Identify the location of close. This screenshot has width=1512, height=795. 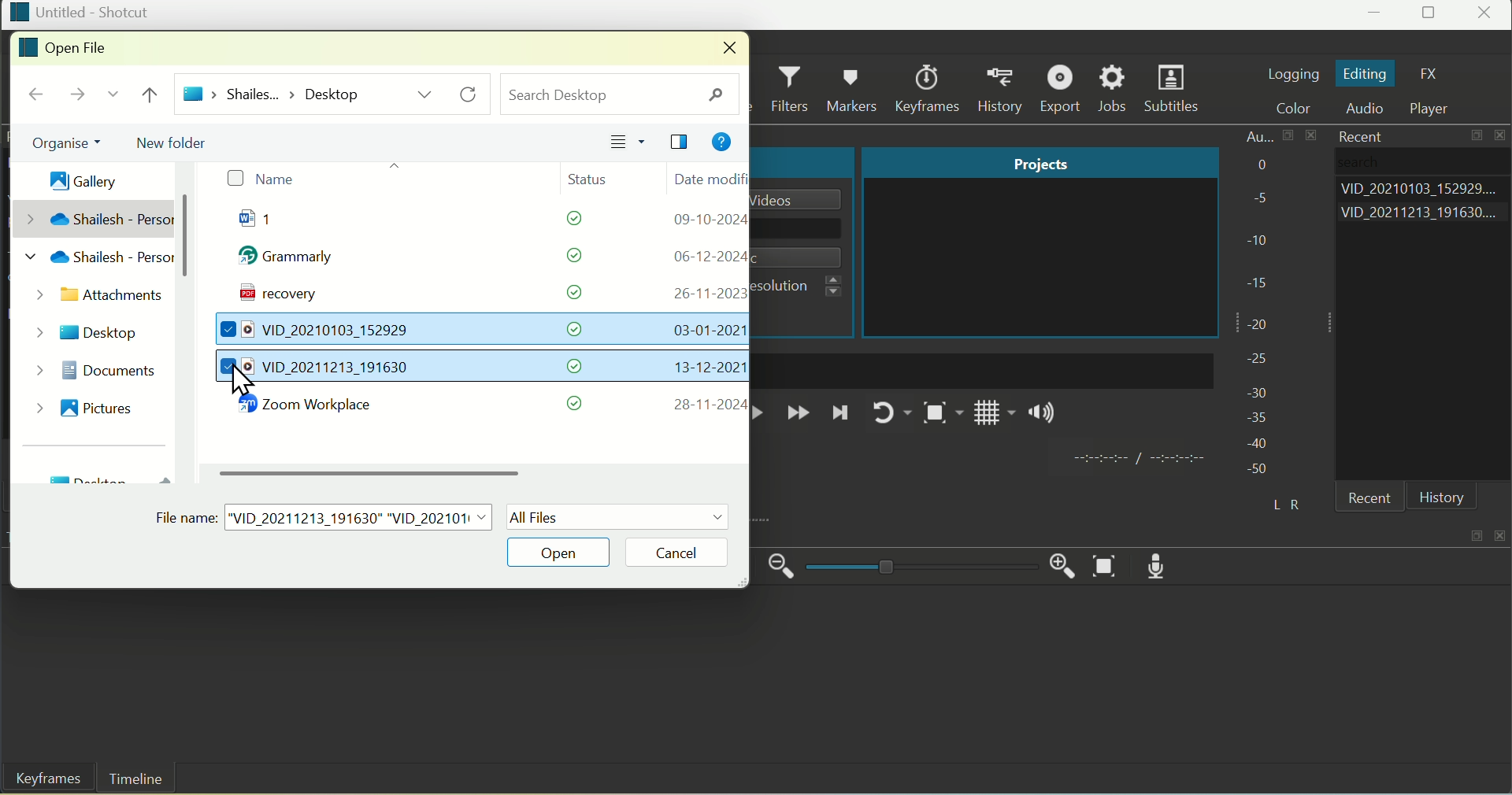
(1503, 532).